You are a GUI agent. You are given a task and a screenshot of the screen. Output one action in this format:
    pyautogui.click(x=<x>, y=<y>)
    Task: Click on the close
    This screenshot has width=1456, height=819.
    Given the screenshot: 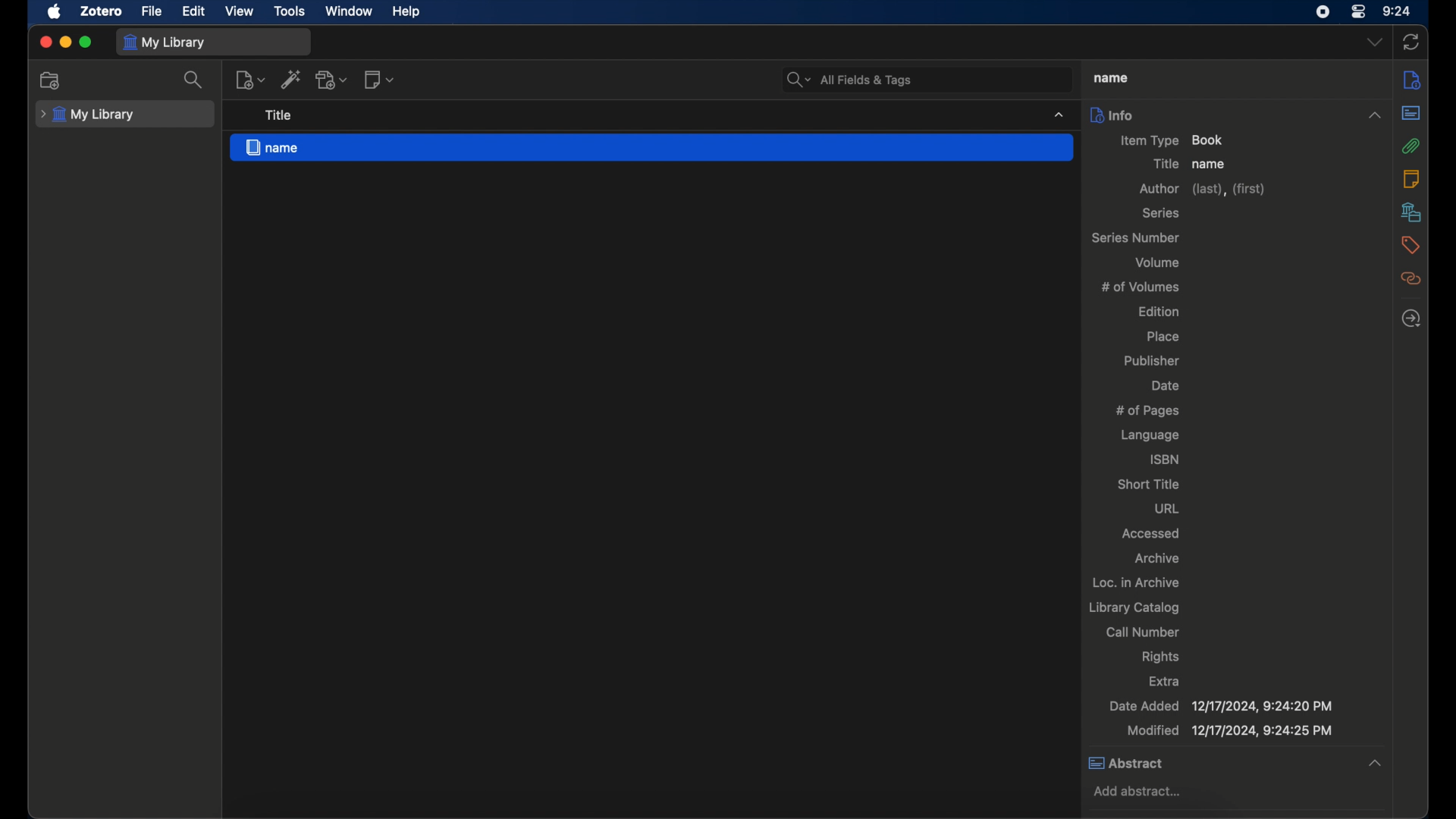 What is the action you would take?
    pyautogui.click(x=46, y=42)
    